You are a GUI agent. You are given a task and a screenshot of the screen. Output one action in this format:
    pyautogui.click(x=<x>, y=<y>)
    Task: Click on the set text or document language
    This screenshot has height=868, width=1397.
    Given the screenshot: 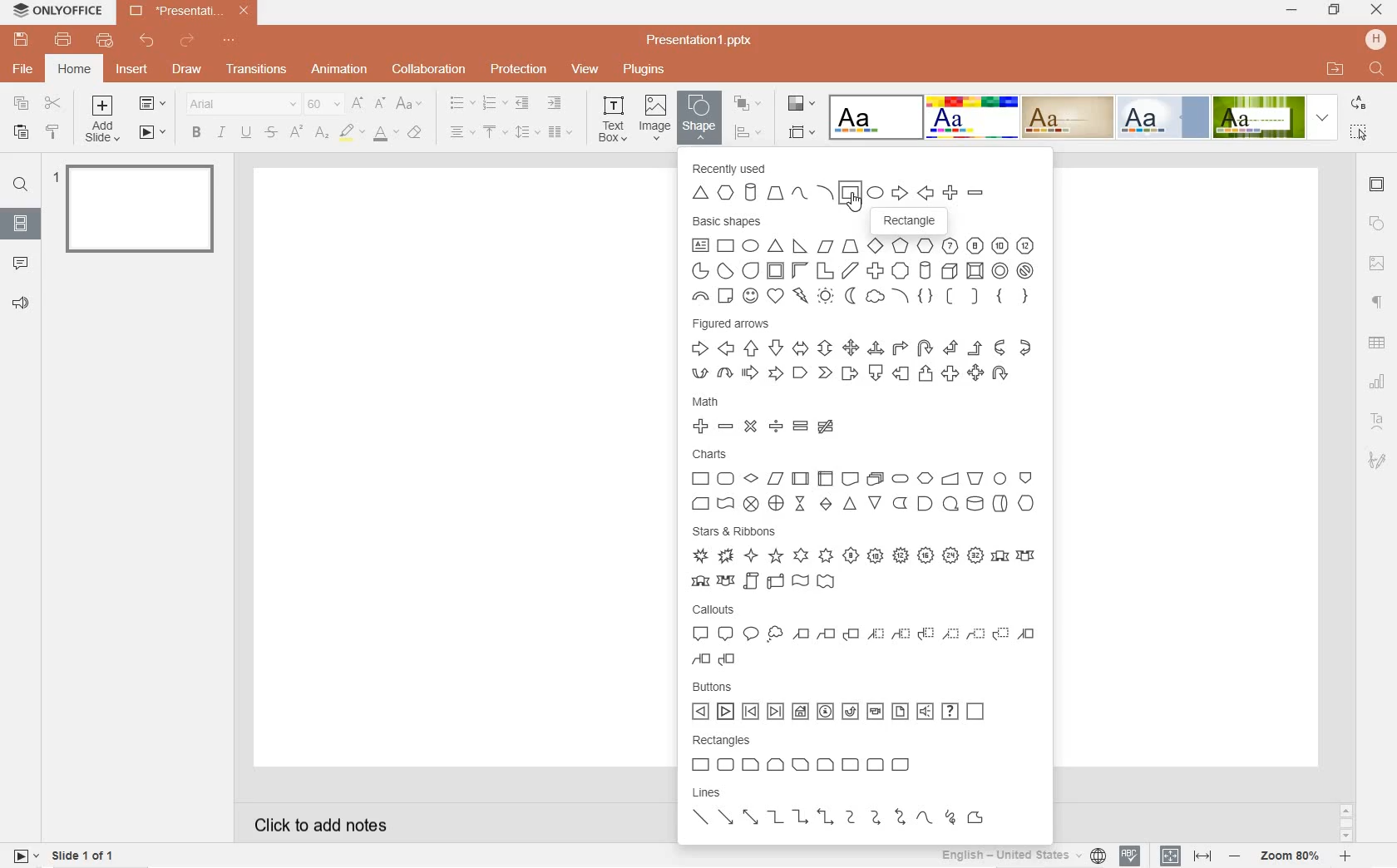 What is the action you would take?
    pyautogui.click(x=1183, y=856)
    